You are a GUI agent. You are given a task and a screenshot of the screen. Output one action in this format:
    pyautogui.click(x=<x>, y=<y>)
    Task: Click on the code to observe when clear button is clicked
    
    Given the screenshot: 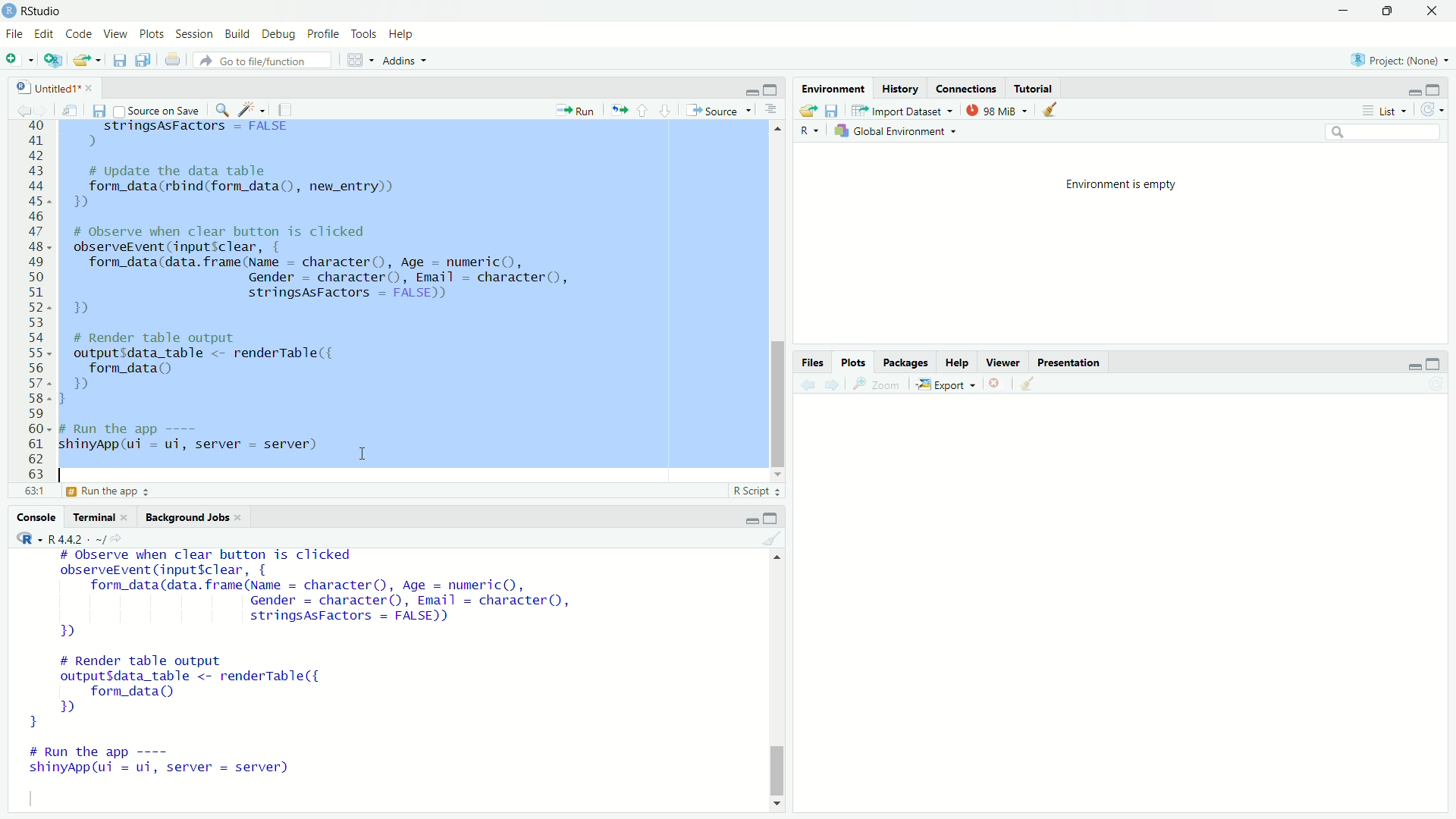 What is the action you would take?
    pyautogui.click(x=335, y=272)
    